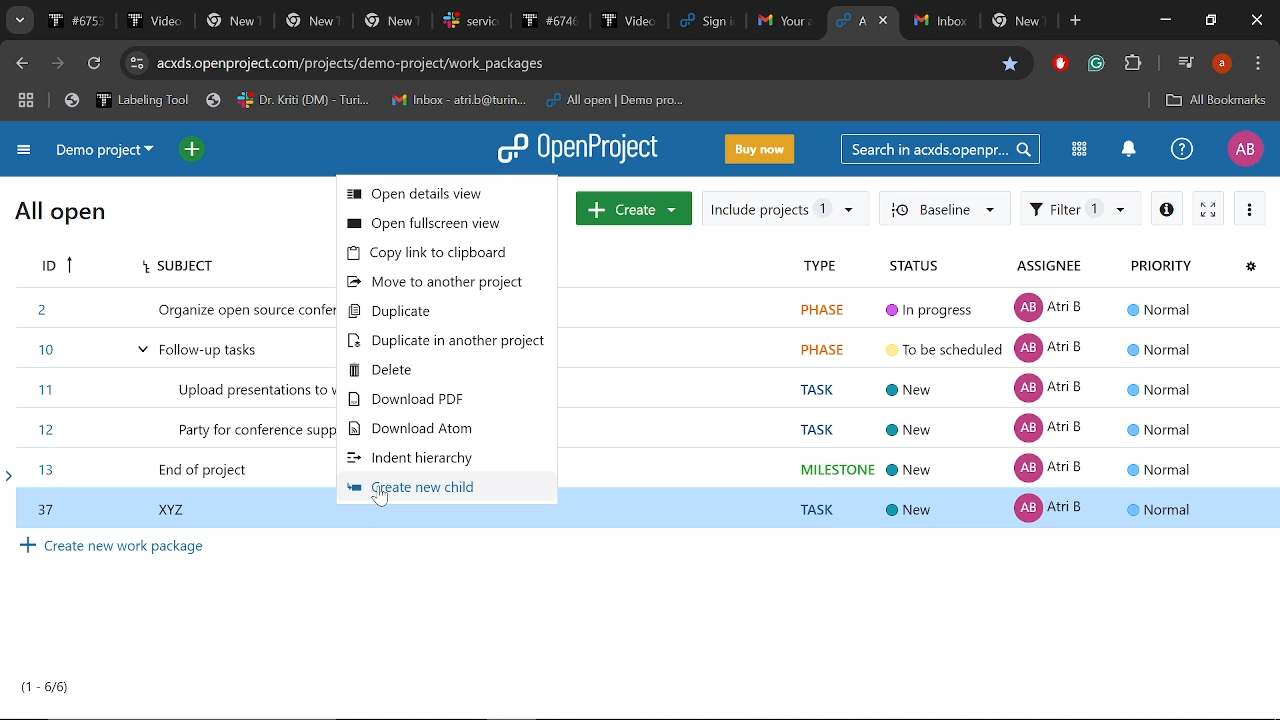 This screenshot has height=720, width=1280. Describe the element at coordinates (785, 209) in the screenshot. I see `Include project` at that location.